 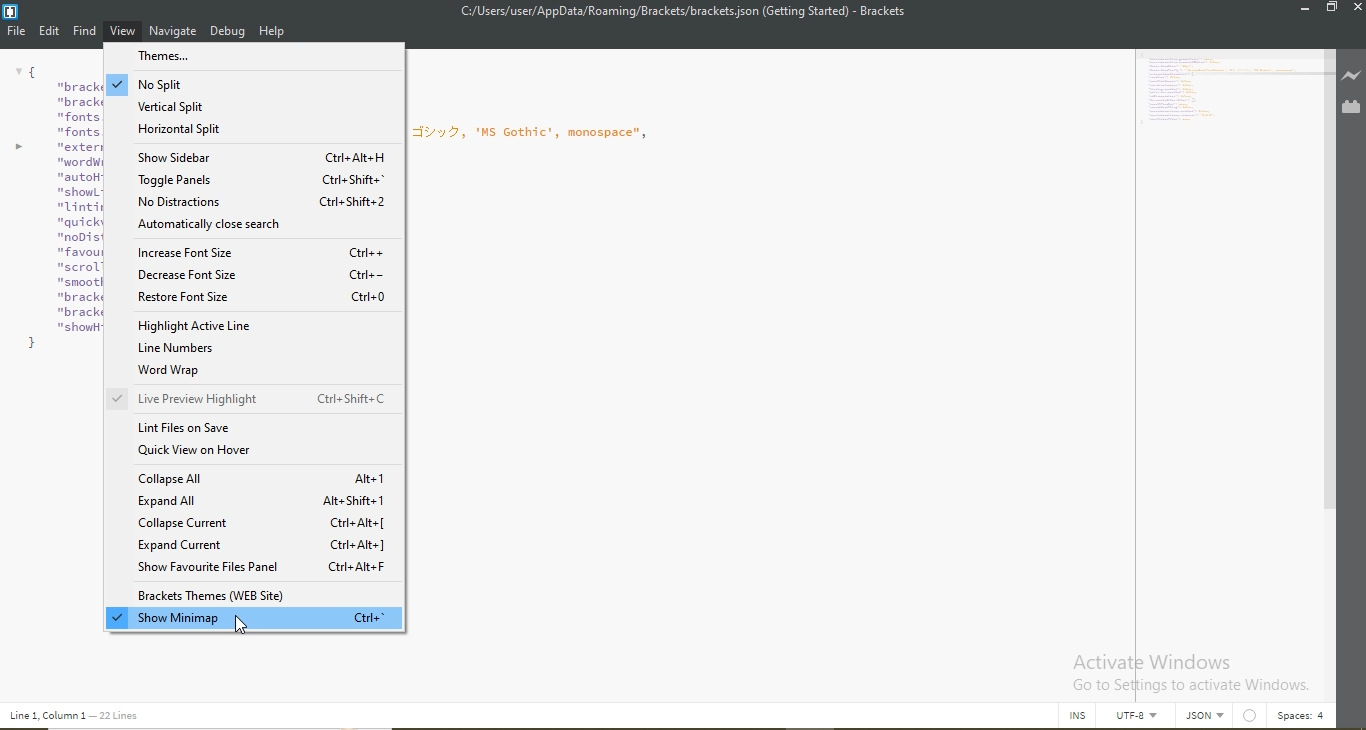 What do you see at coordinates (257, 597) in the screenshot?
I see `brackets themes` at bounding box center [257, 597].